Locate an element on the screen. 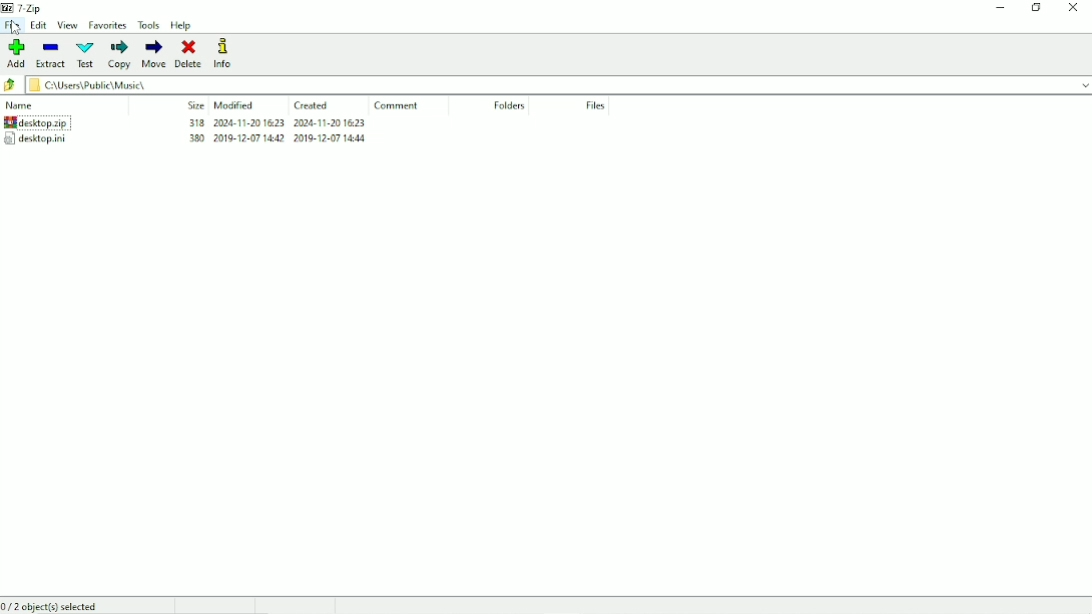 Image resolution: width=1092 pixels, height=614 pixels. File is located at coordinates (13, 26).